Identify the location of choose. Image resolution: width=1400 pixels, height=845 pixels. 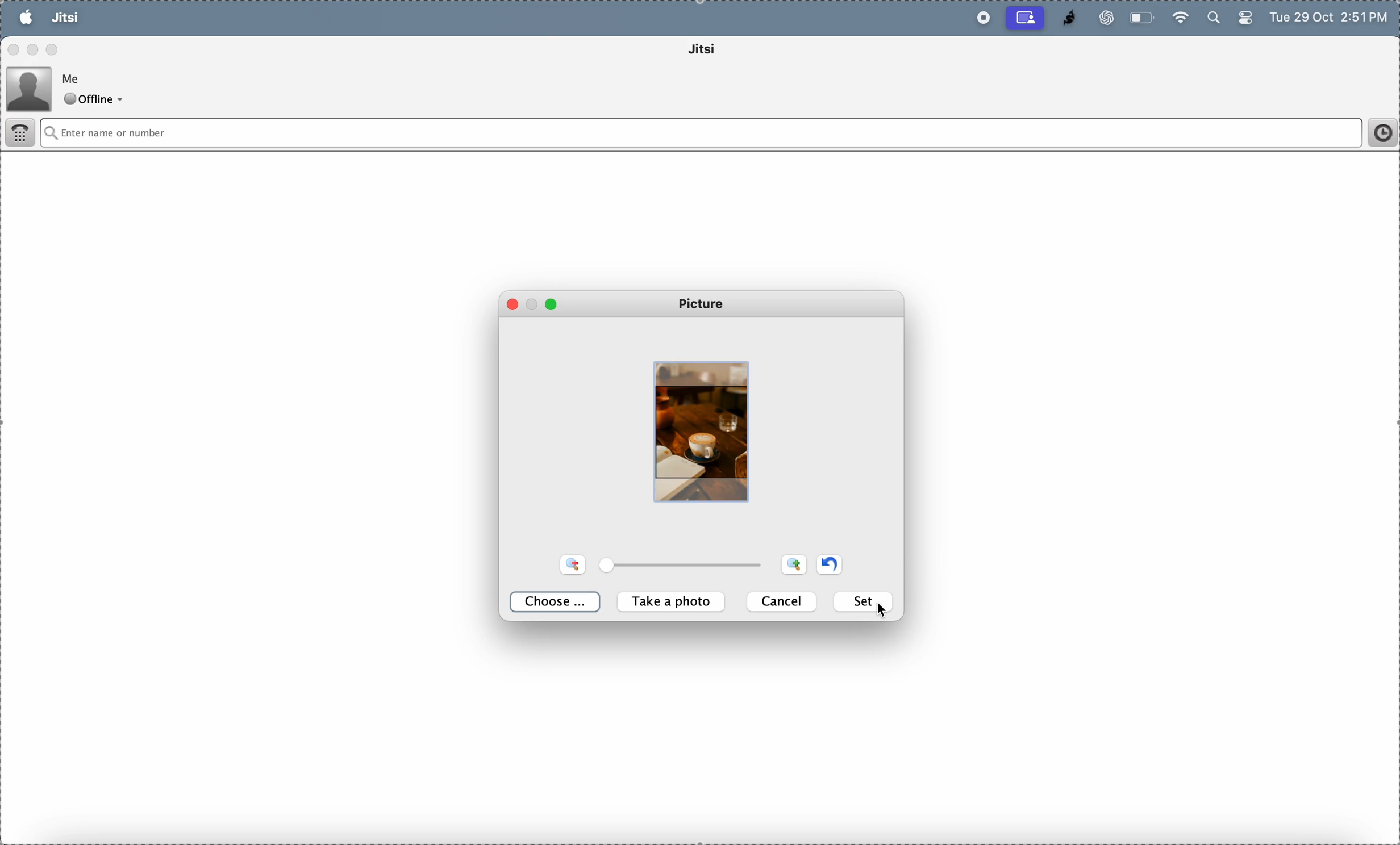
(558, 603).